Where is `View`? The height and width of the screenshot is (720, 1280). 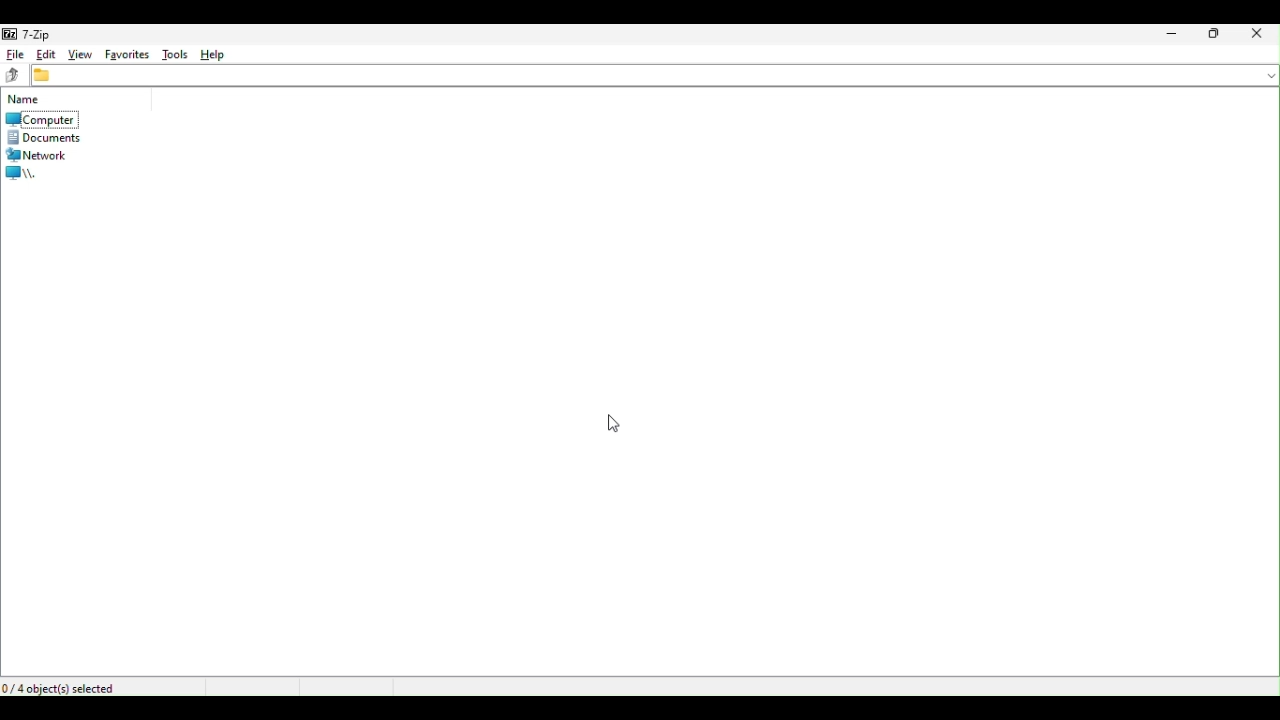
View is located at coordinates (79, 51).